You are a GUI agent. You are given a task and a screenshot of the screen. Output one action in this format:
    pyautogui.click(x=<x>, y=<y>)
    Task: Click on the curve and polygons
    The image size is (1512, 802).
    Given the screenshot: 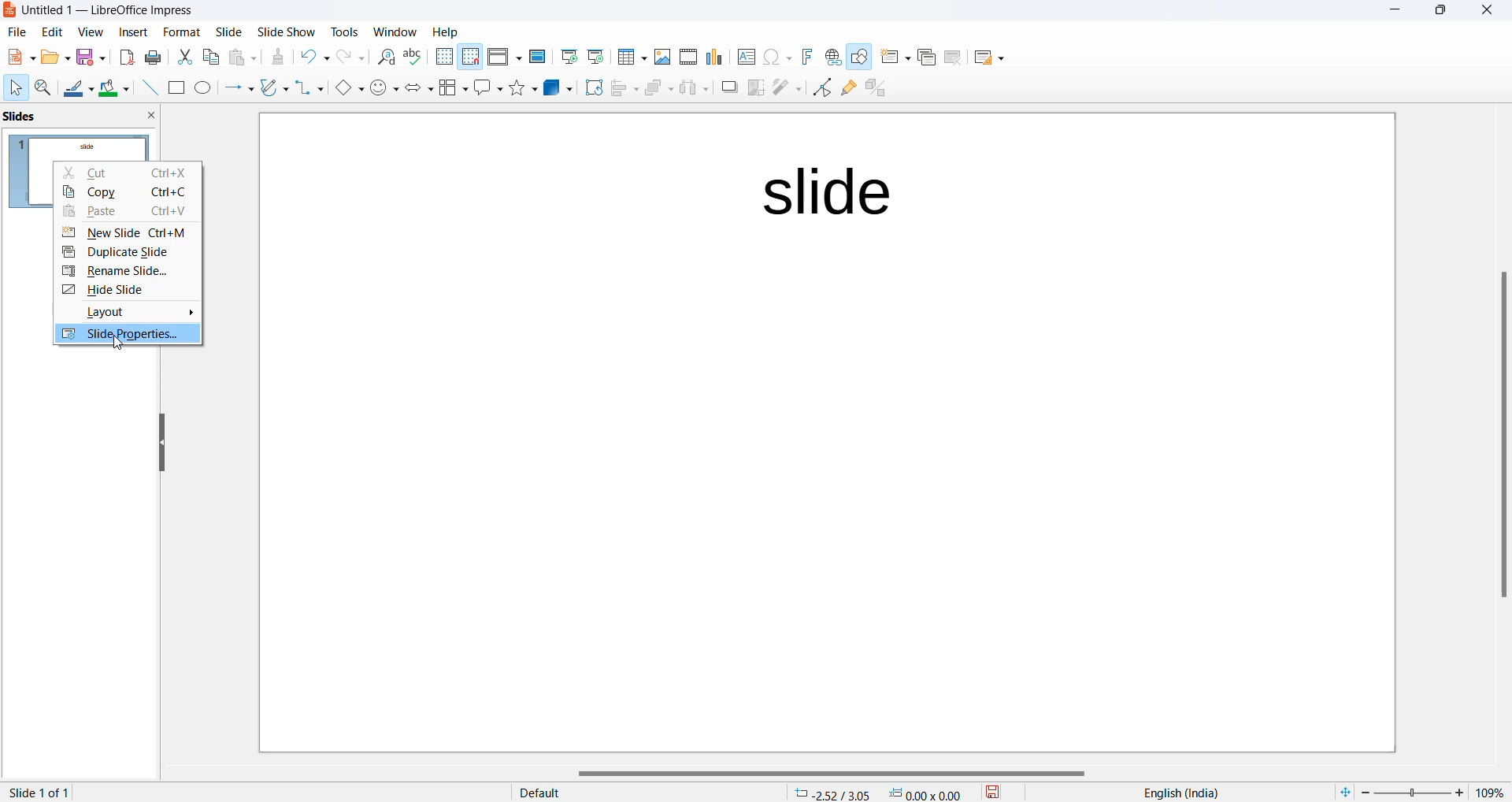 What is the action you would take?
    pyautogui.click(x=275, y=89)
    